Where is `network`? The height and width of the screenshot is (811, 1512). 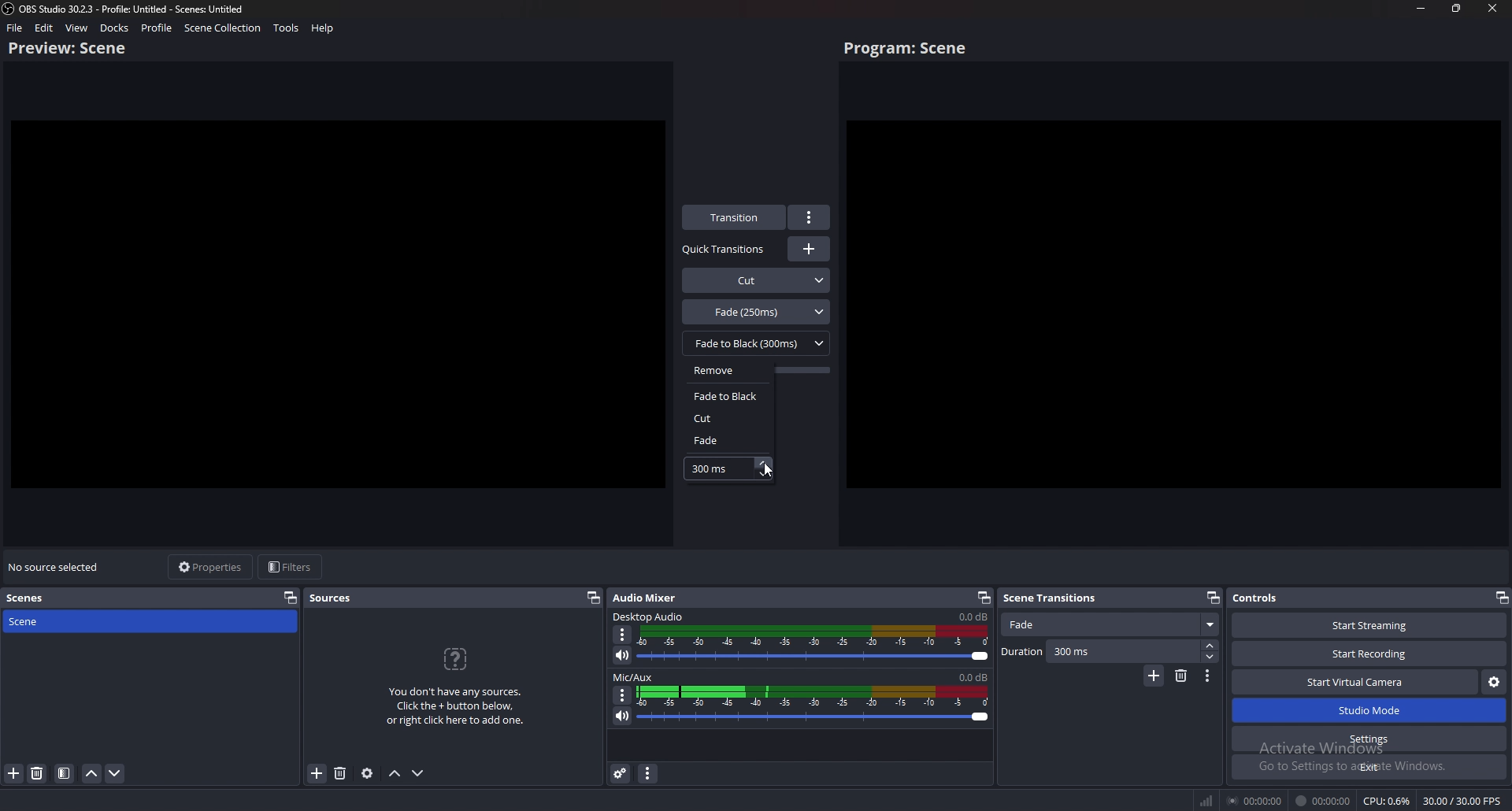
network is located at coordinates (1204, 801).